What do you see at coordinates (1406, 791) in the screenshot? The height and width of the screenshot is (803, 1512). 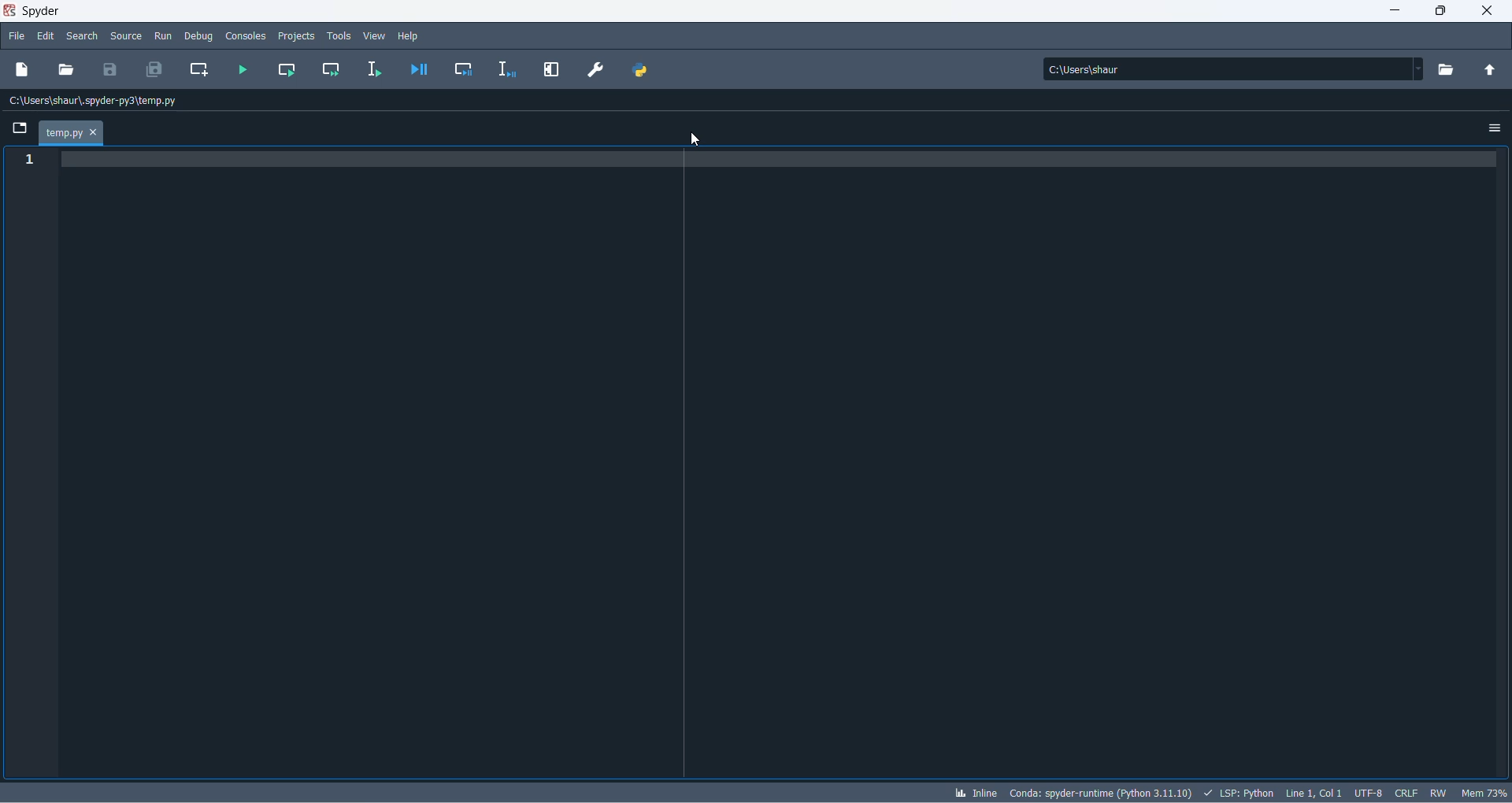 I see `file EOL status` at bounding box center [1406, 791].